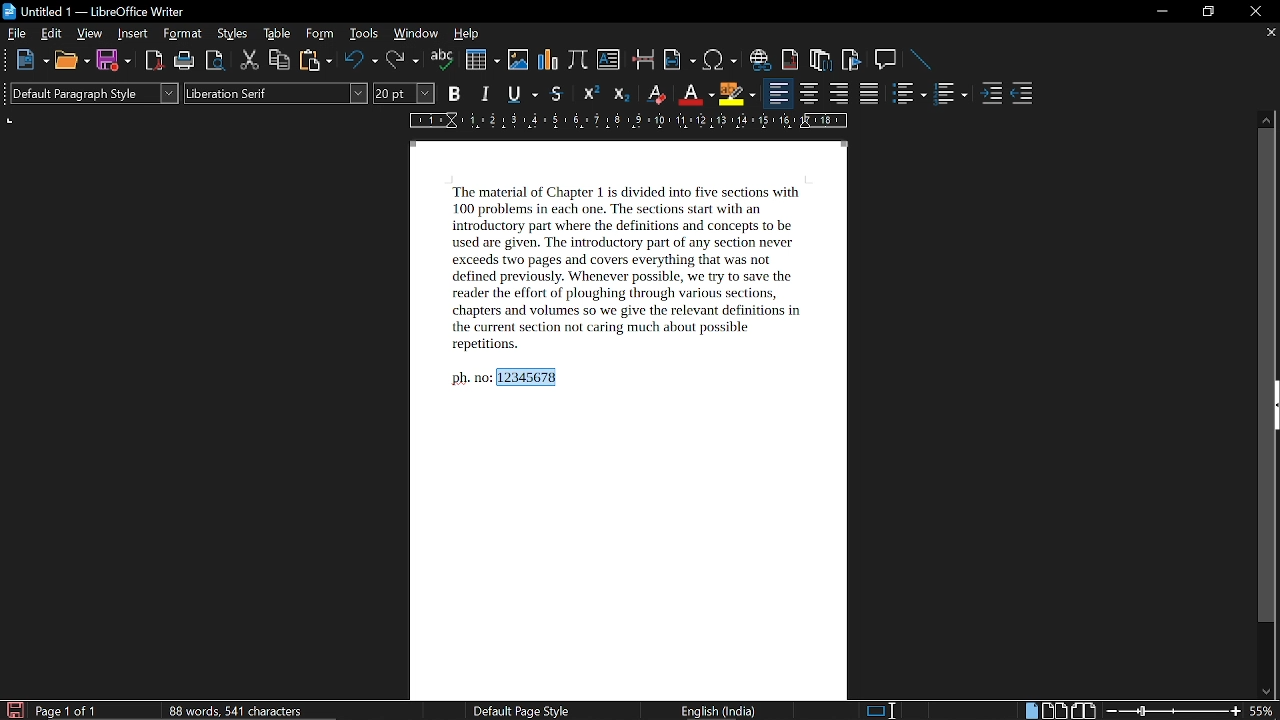 The image size is (1280, 720). I want to click on insert footnote, so click(790, 60).